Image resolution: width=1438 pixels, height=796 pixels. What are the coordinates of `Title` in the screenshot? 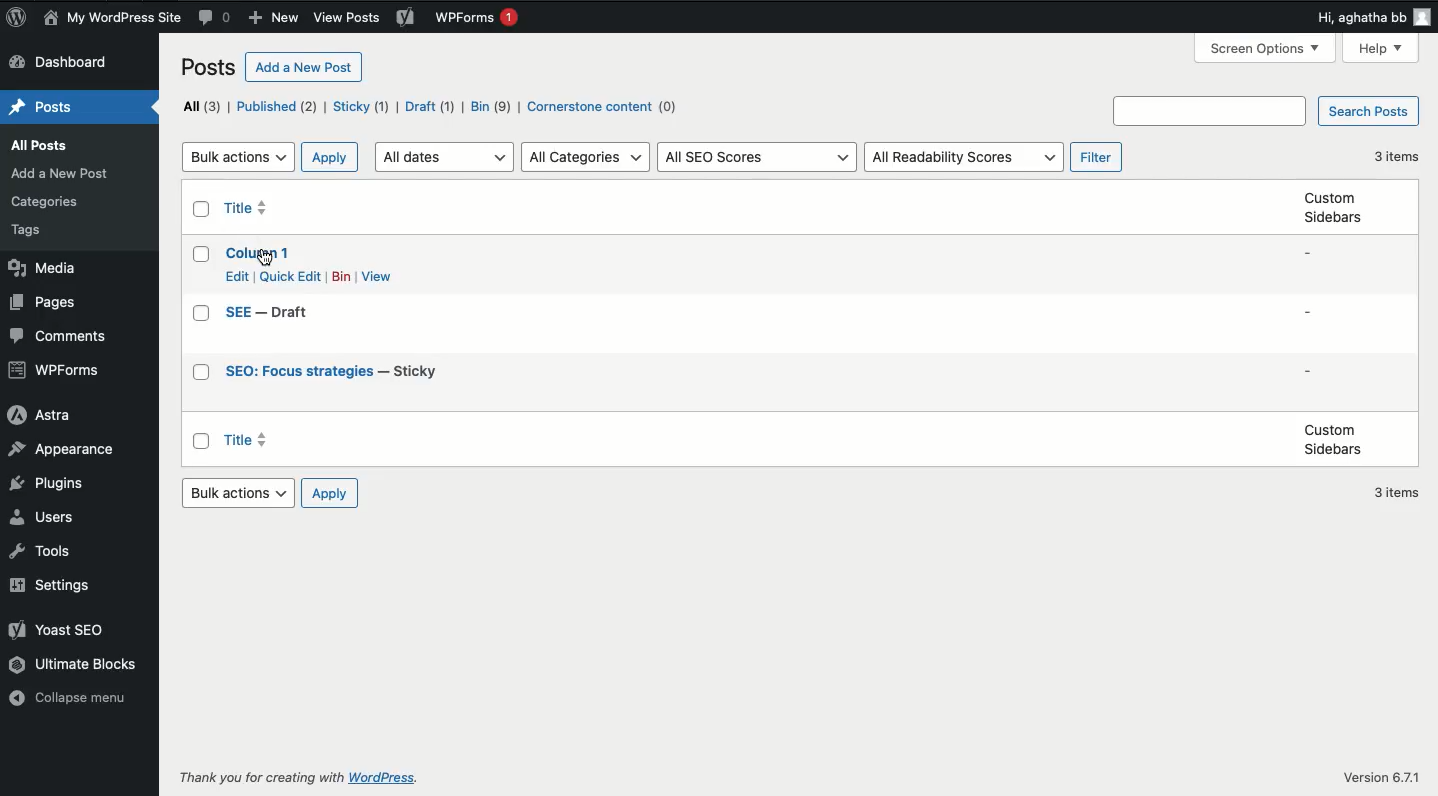 It's located at (263, 441).